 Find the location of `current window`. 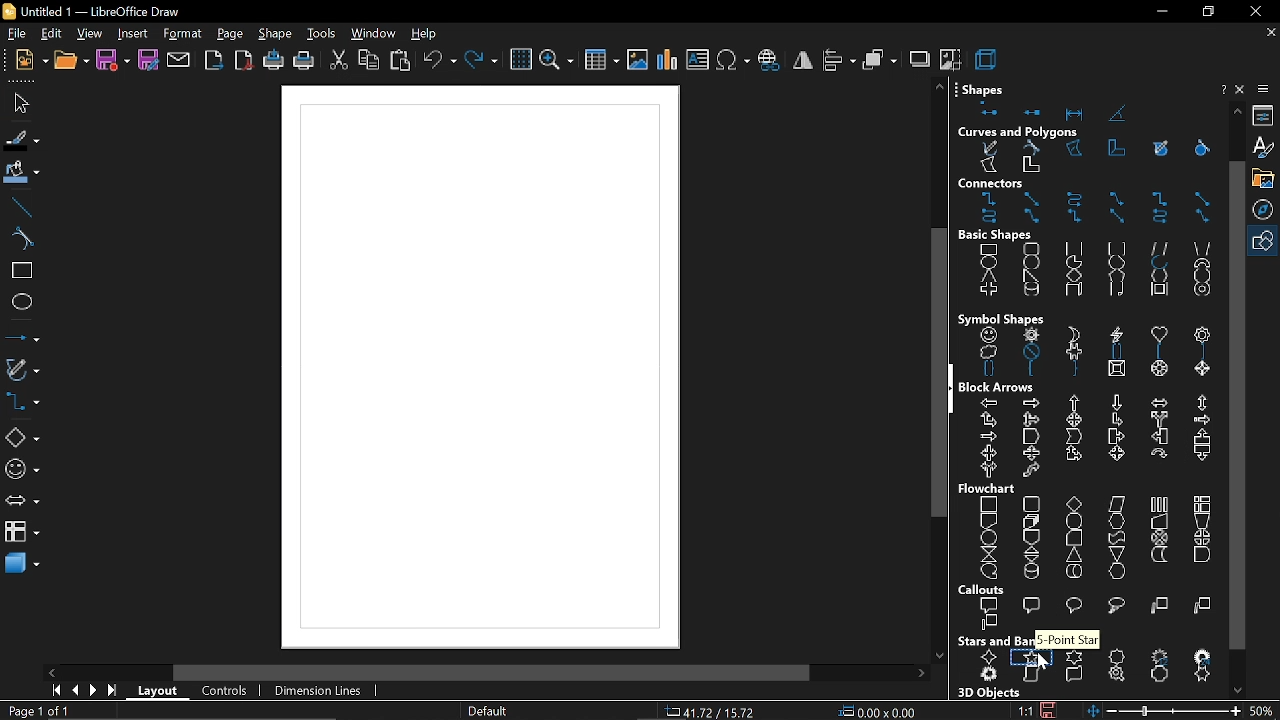

current window is located at coordinates (90, 11).